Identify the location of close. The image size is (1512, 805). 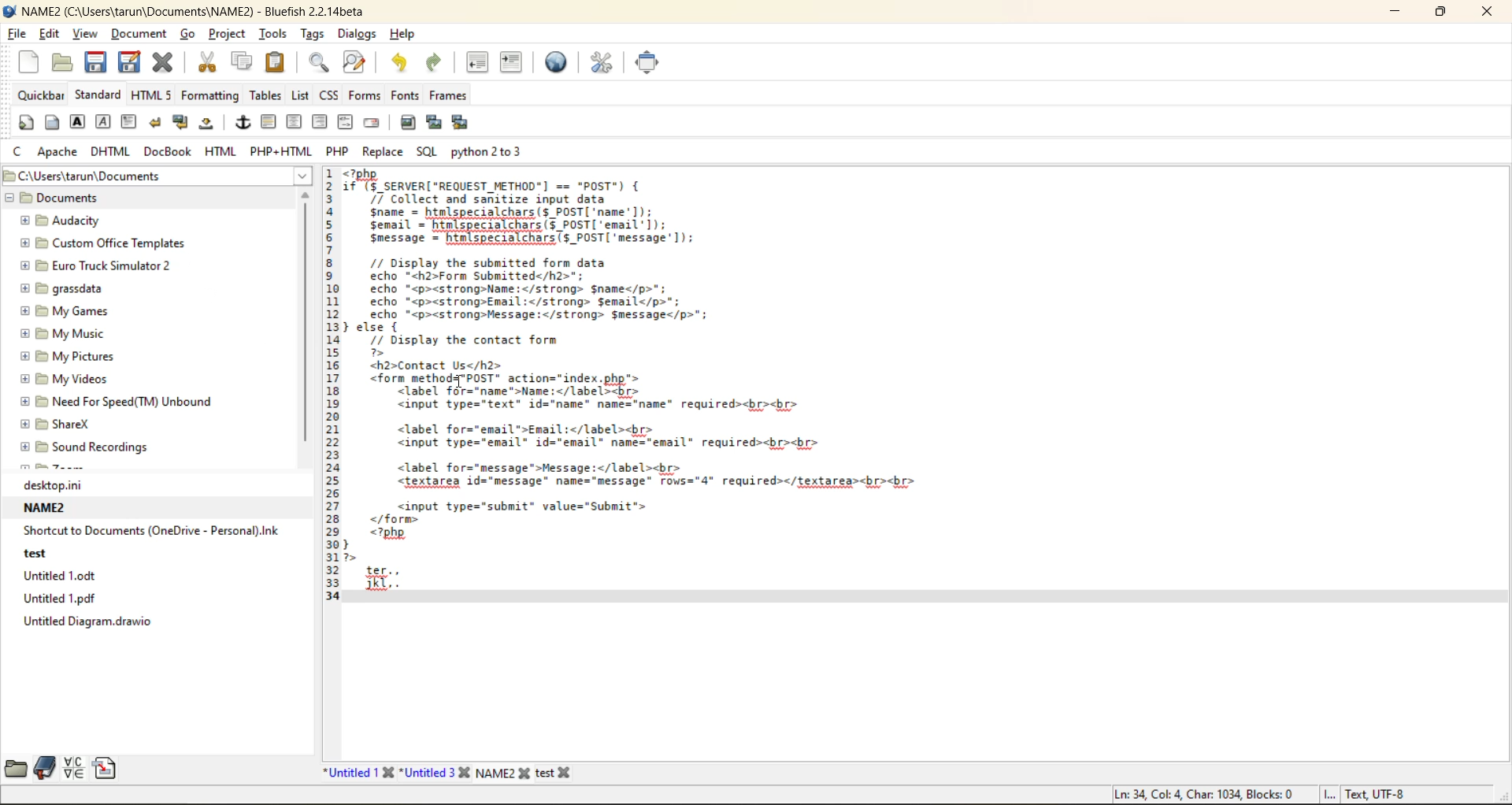
(1487, 13).